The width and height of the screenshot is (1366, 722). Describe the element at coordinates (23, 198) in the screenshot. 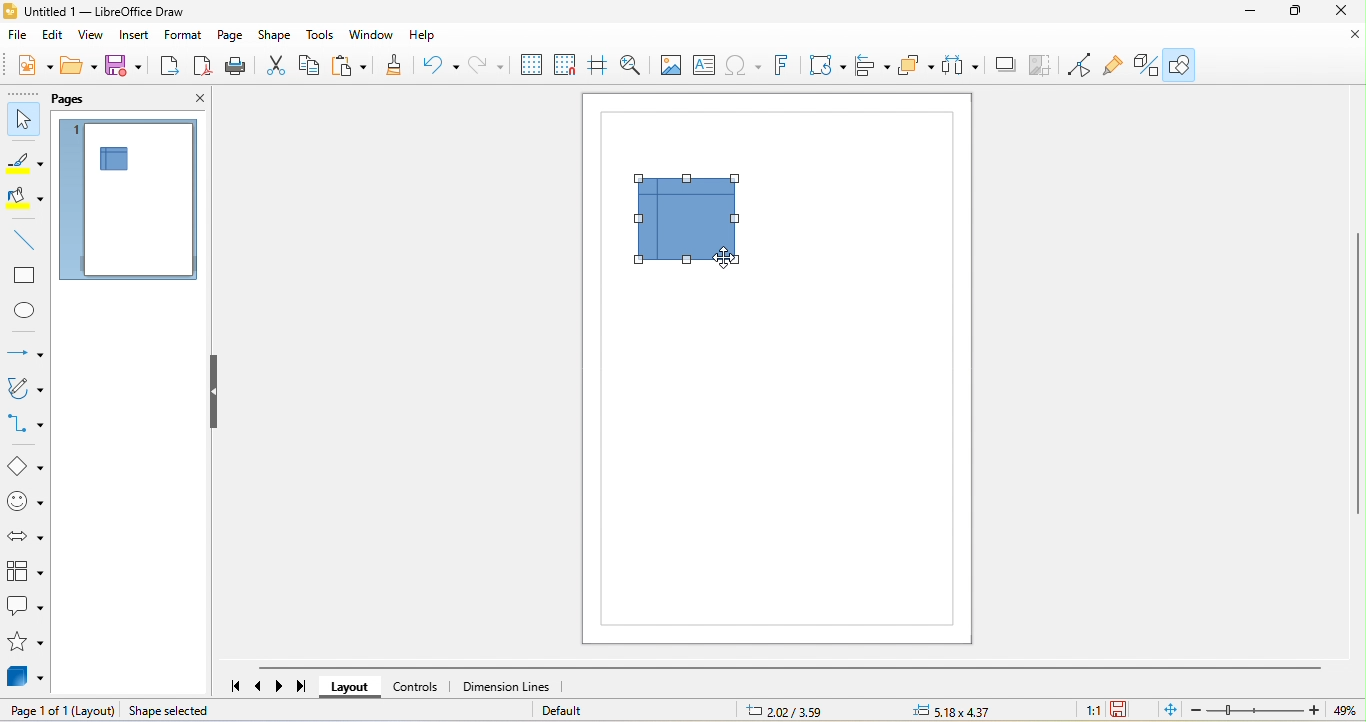

I see `fill color` at that location.